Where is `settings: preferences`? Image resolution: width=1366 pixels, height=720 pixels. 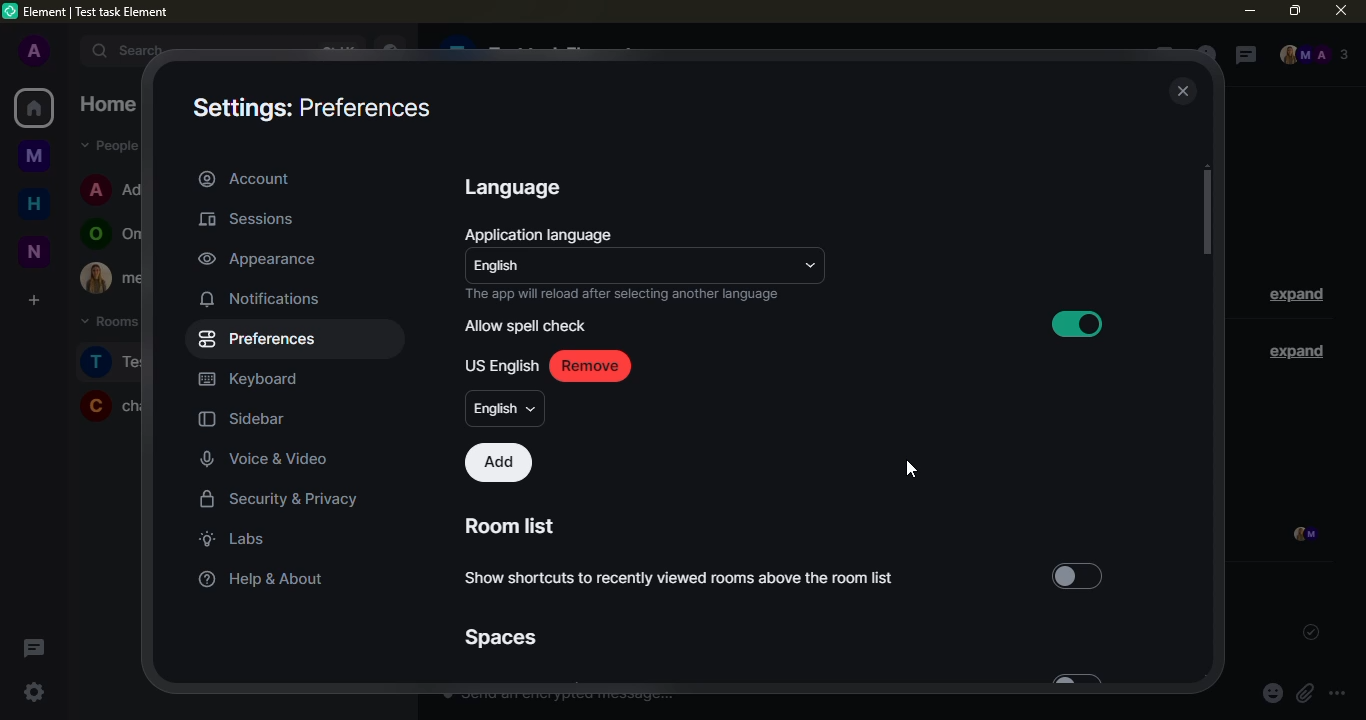
settings: preferences is located at coordinates (309, 110).